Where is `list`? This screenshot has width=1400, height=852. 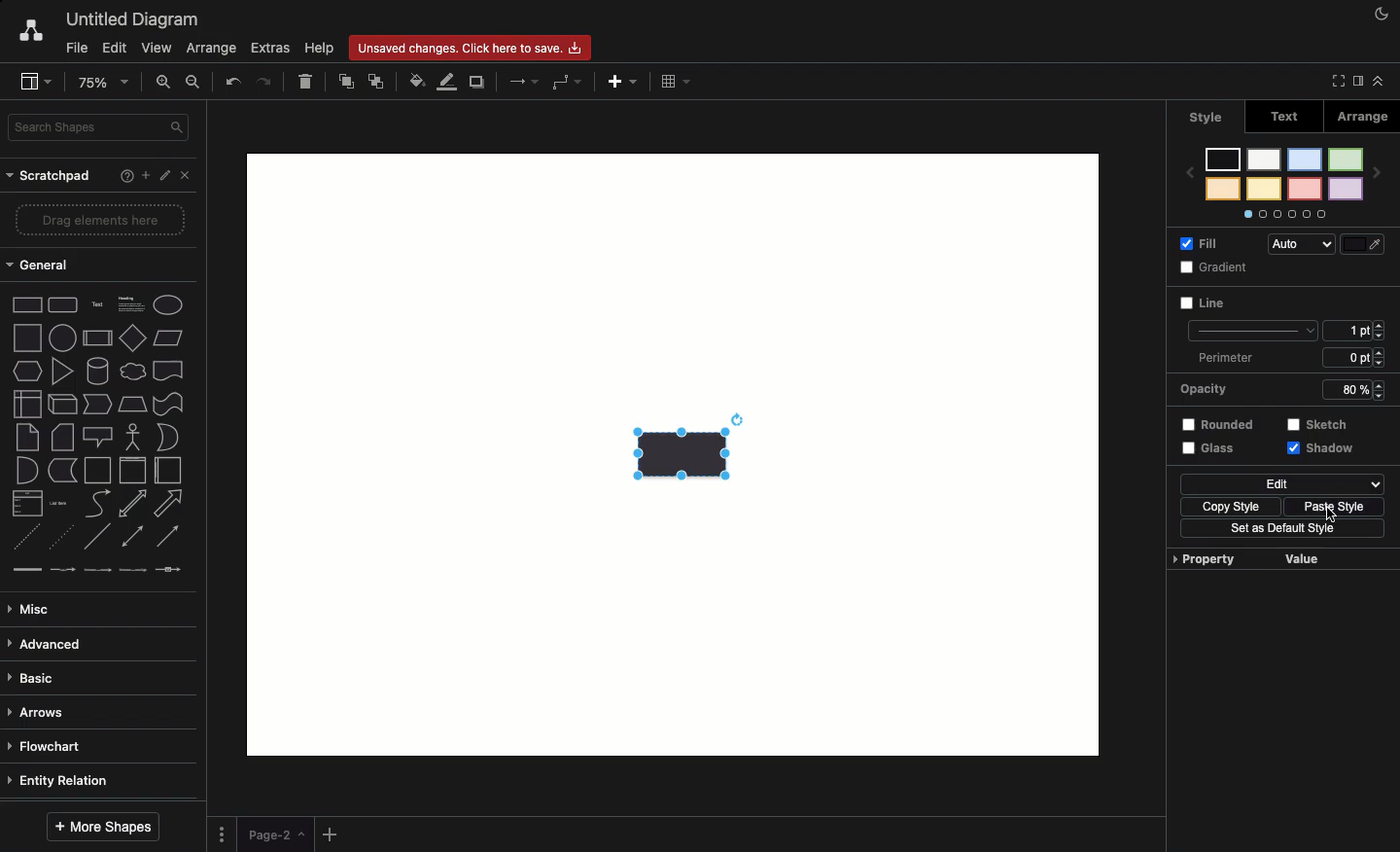 list is located at coordinates (24, 503).